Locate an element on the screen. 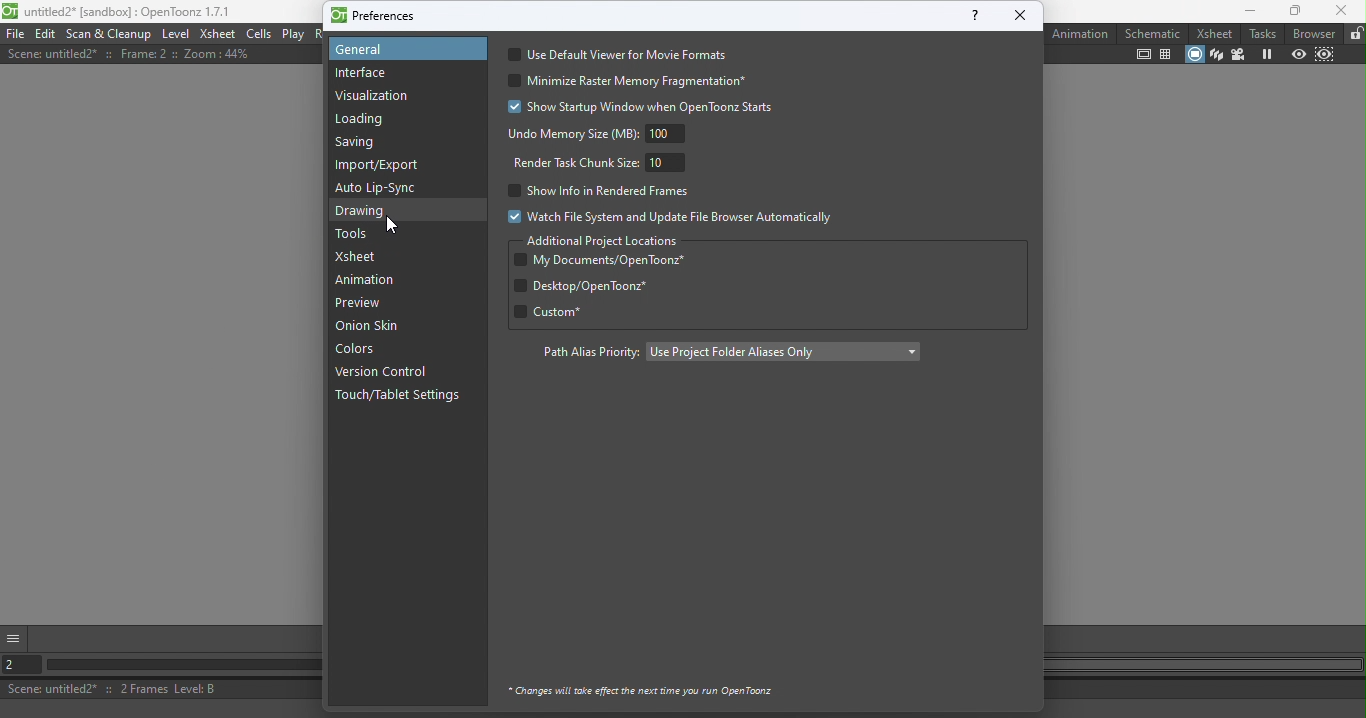 Image resolution: width=1366 pixels, height=718 pixels. Preview is located at coordinates (357, 304).